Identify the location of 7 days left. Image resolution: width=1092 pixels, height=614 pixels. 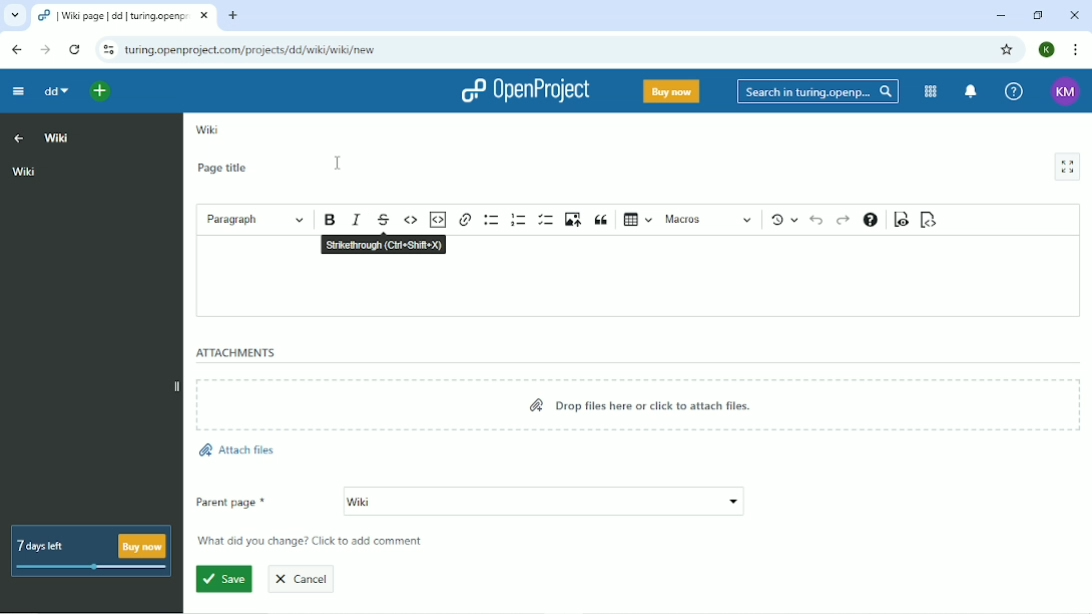
(91, 550).